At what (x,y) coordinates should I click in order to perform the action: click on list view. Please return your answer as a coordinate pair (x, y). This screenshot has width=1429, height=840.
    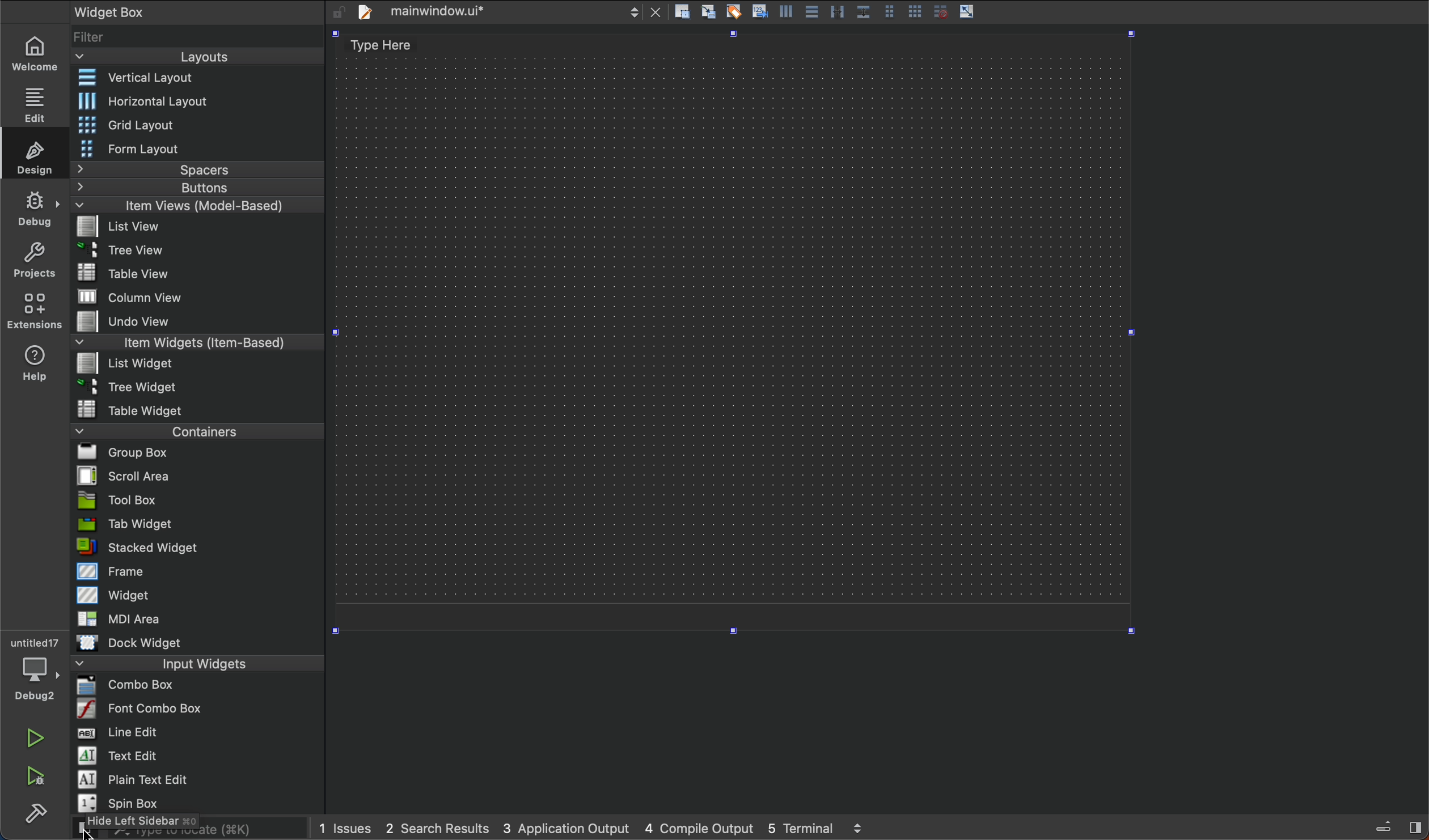
    Looking at the image, I should click on (134, 226).